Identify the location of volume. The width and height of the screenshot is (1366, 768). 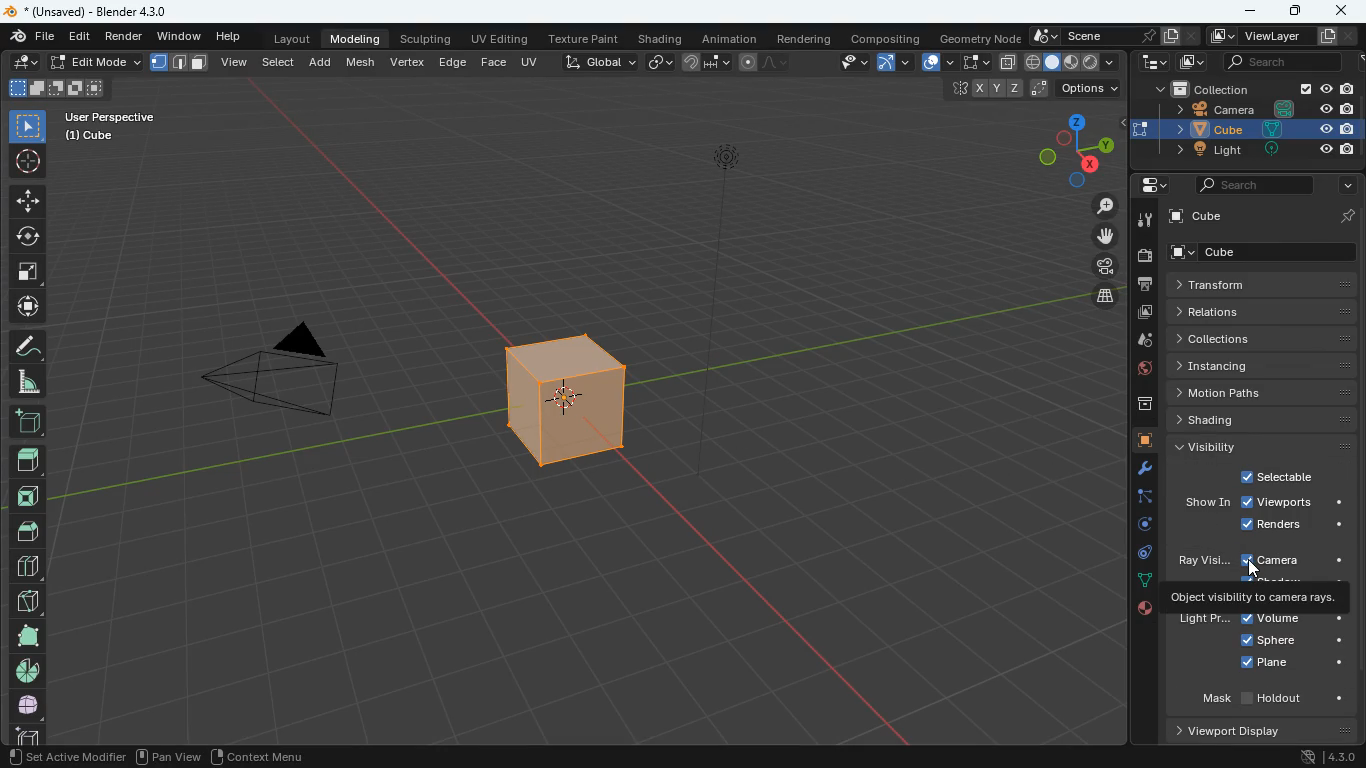
(1294, 619).